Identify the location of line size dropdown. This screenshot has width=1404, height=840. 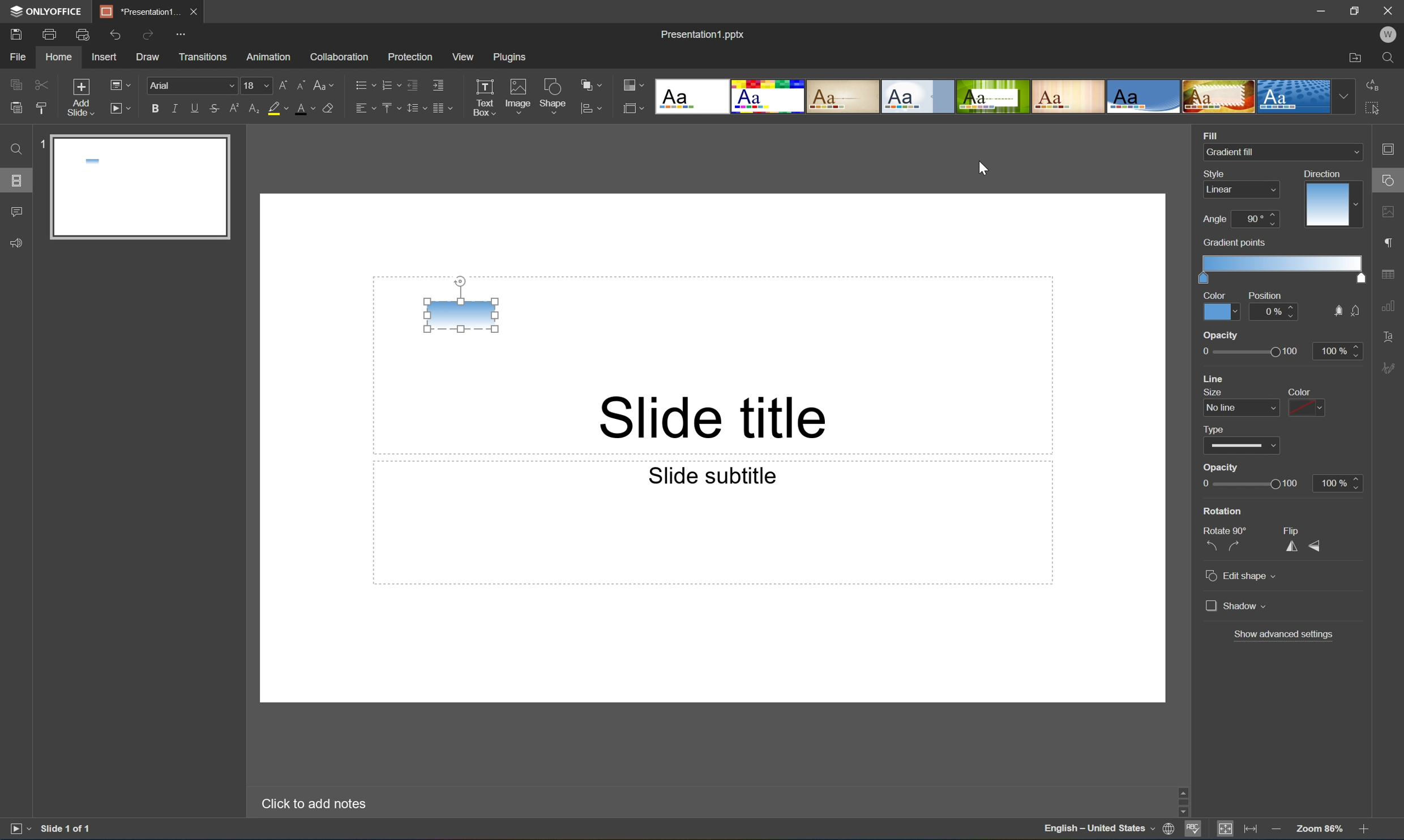
(1243, 408).